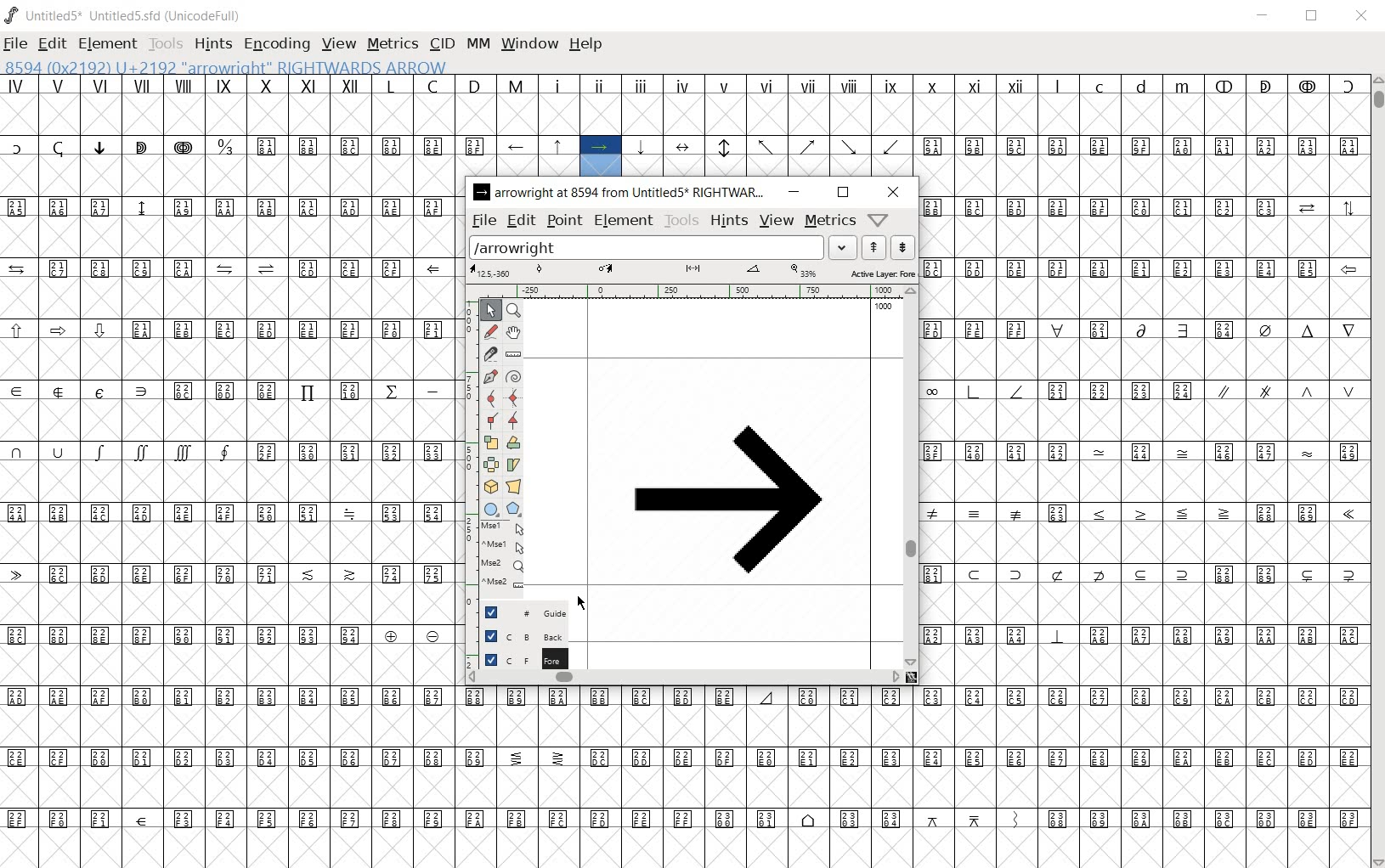 The image size is (1385, 868). Describe the element at coordinates (211, 43) in the screenshot. I see `HINTS` at that location.